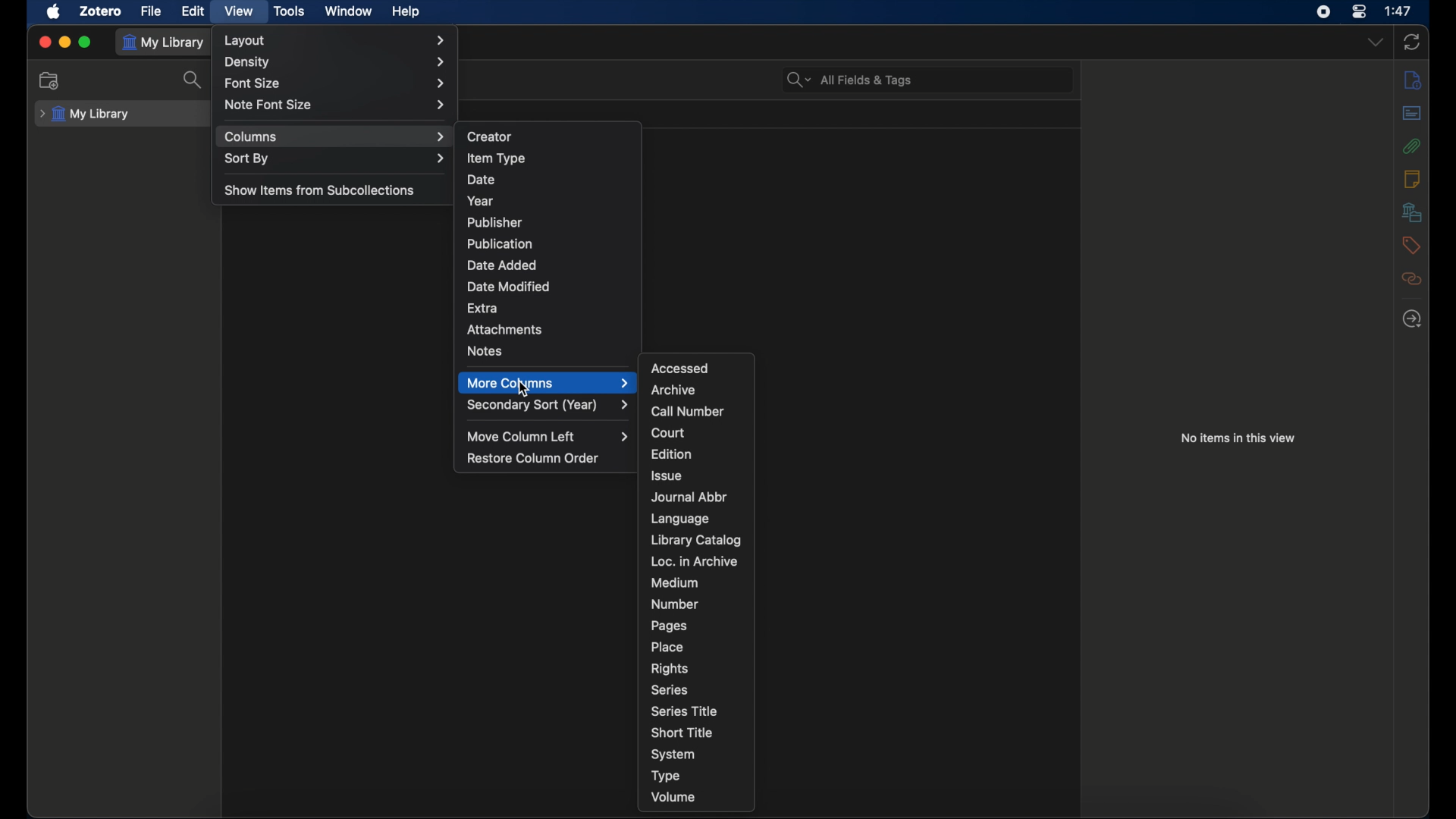 The height and width of the screenshot is (819, 1456). Describe the element at coordinates (681, 368) in the screenshot. I see `accessed` at that location.